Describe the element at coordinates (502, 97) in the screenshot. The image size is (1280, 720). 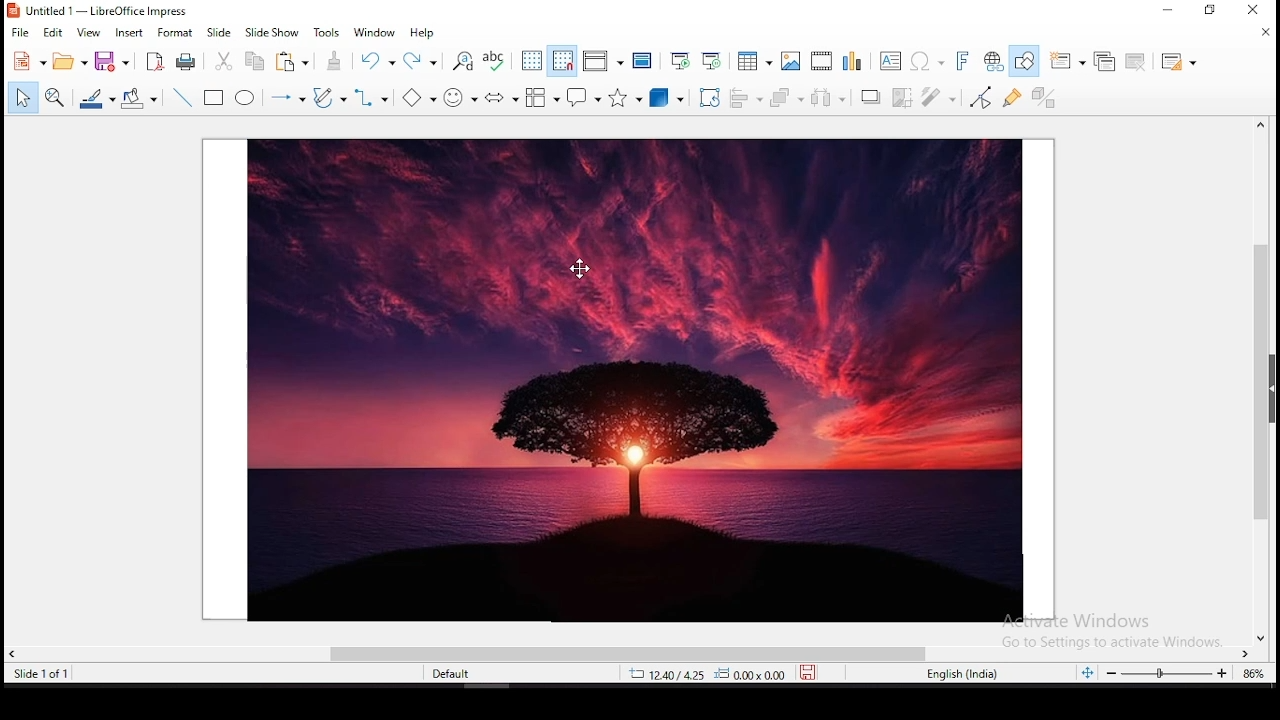
I see `block arrows` at that location.